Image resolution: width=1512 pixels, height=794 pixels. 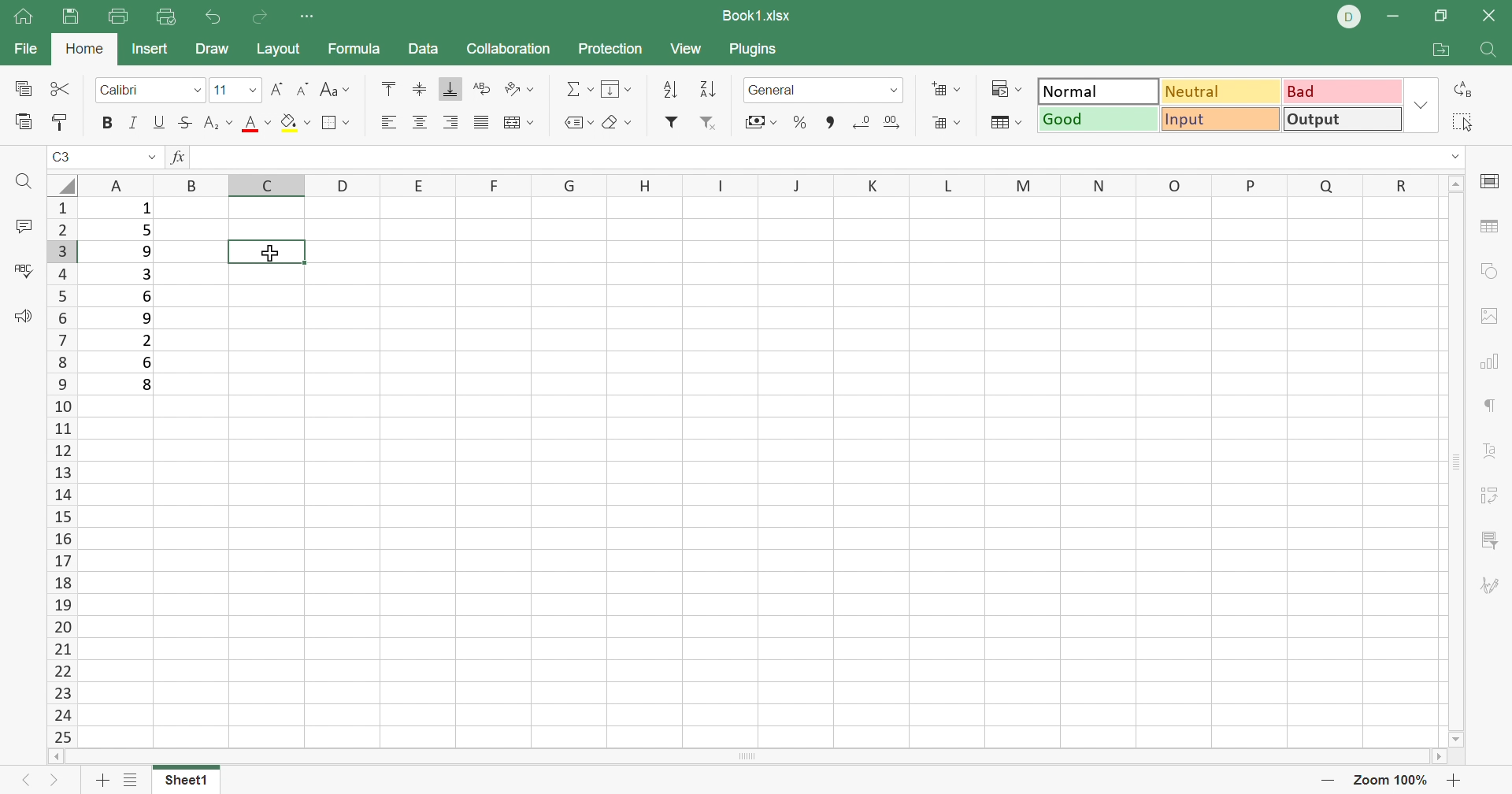 I want to click on Scroll down, so click(x=1456, y=739).